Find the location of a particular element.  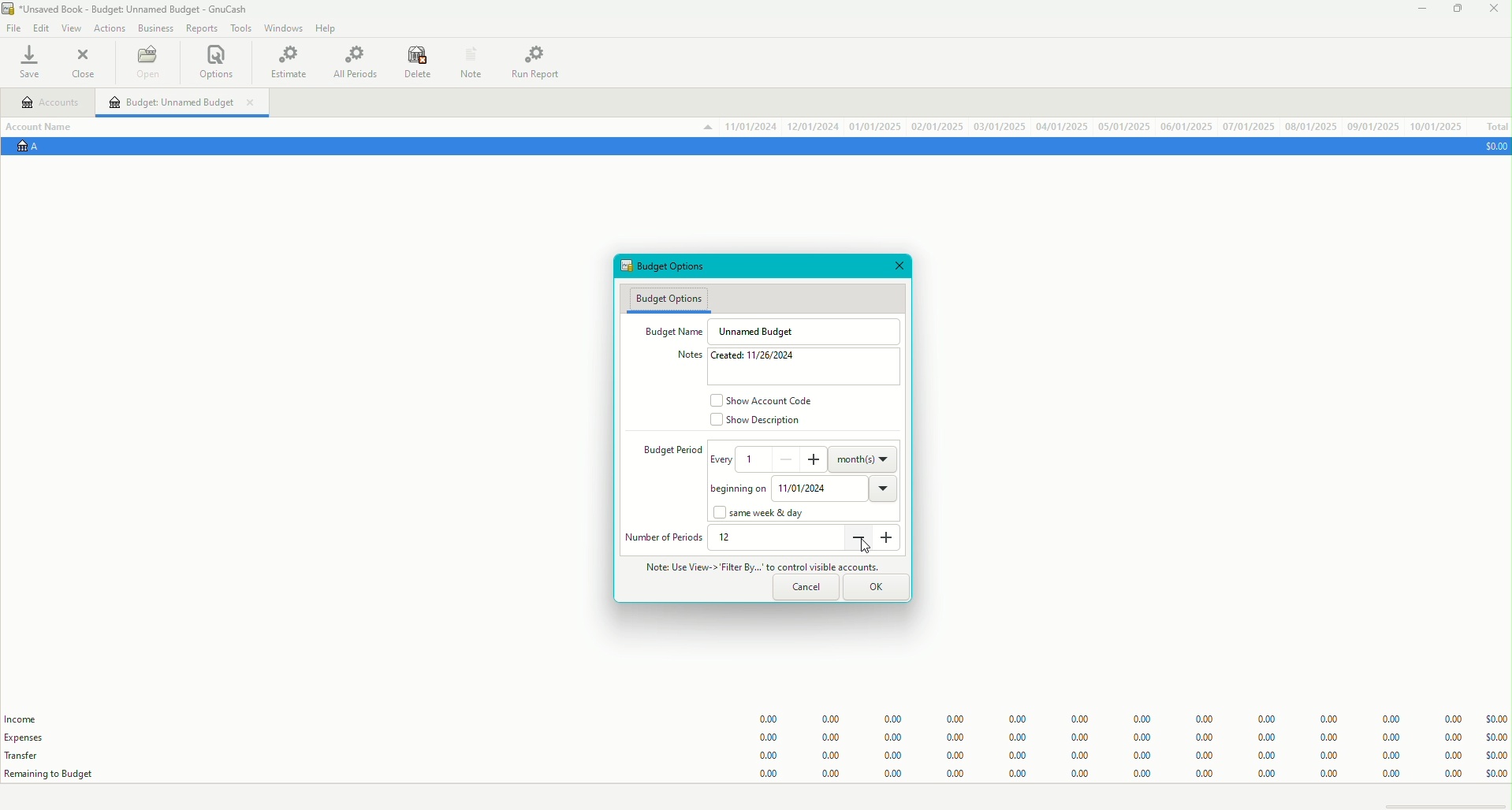

Help is located at coordinates (329, 28).